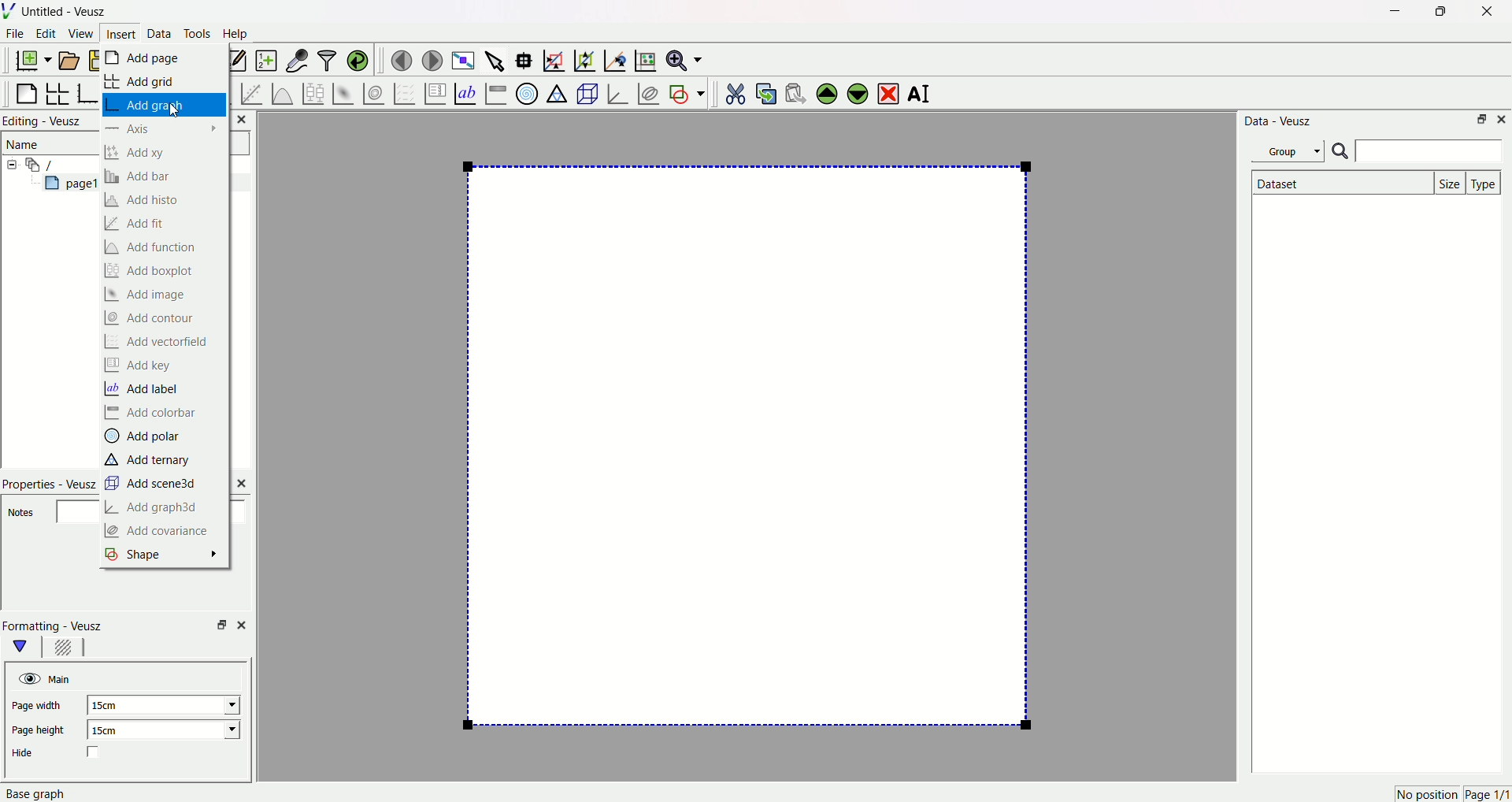 Image resolution: width=1512 pixels, height=802 pixels. I want to click on ‘Add ternary, so click(159, 459).